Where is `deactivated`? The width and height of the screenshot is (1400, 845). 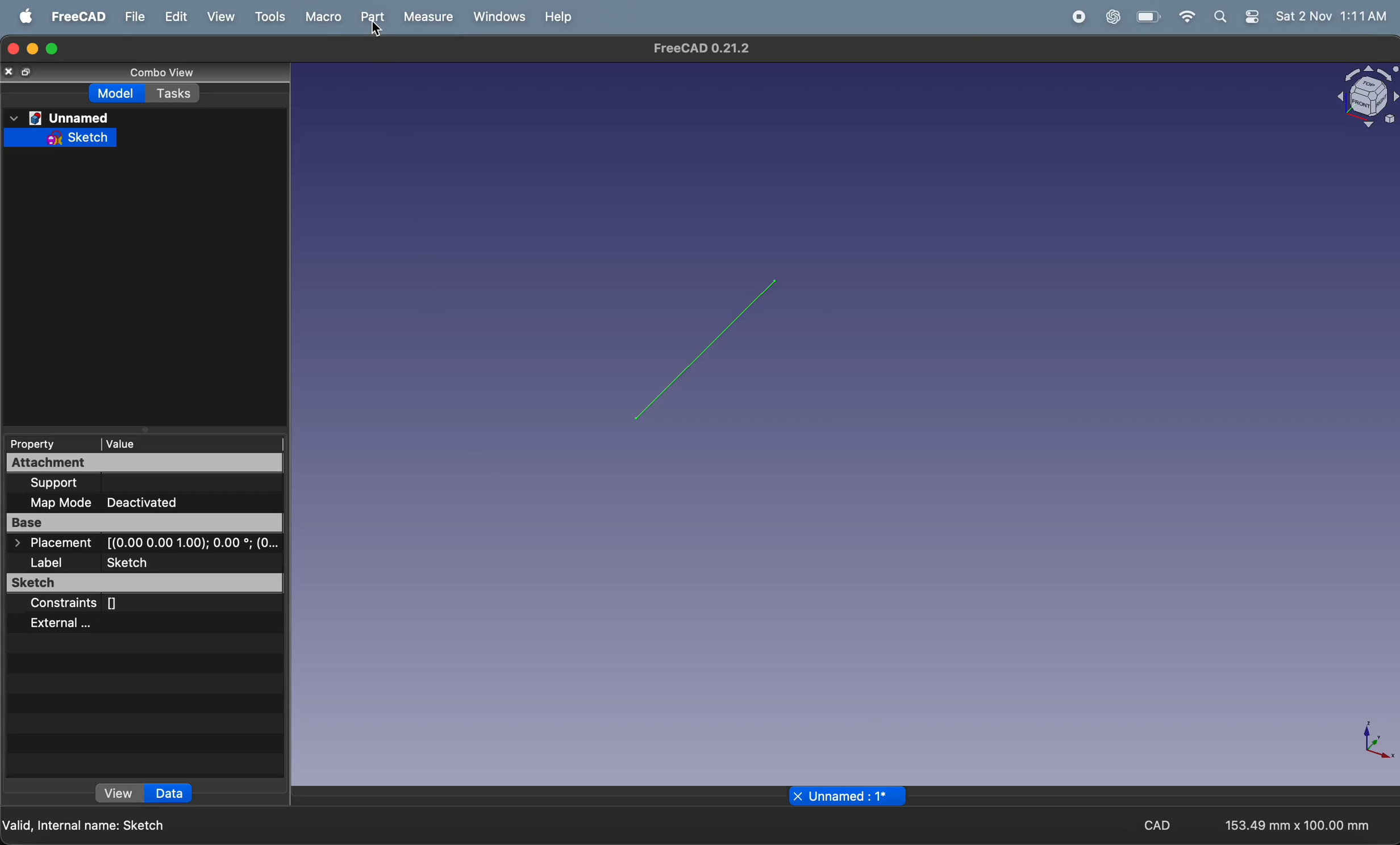 deactivated is located at coordinates (149, 502).